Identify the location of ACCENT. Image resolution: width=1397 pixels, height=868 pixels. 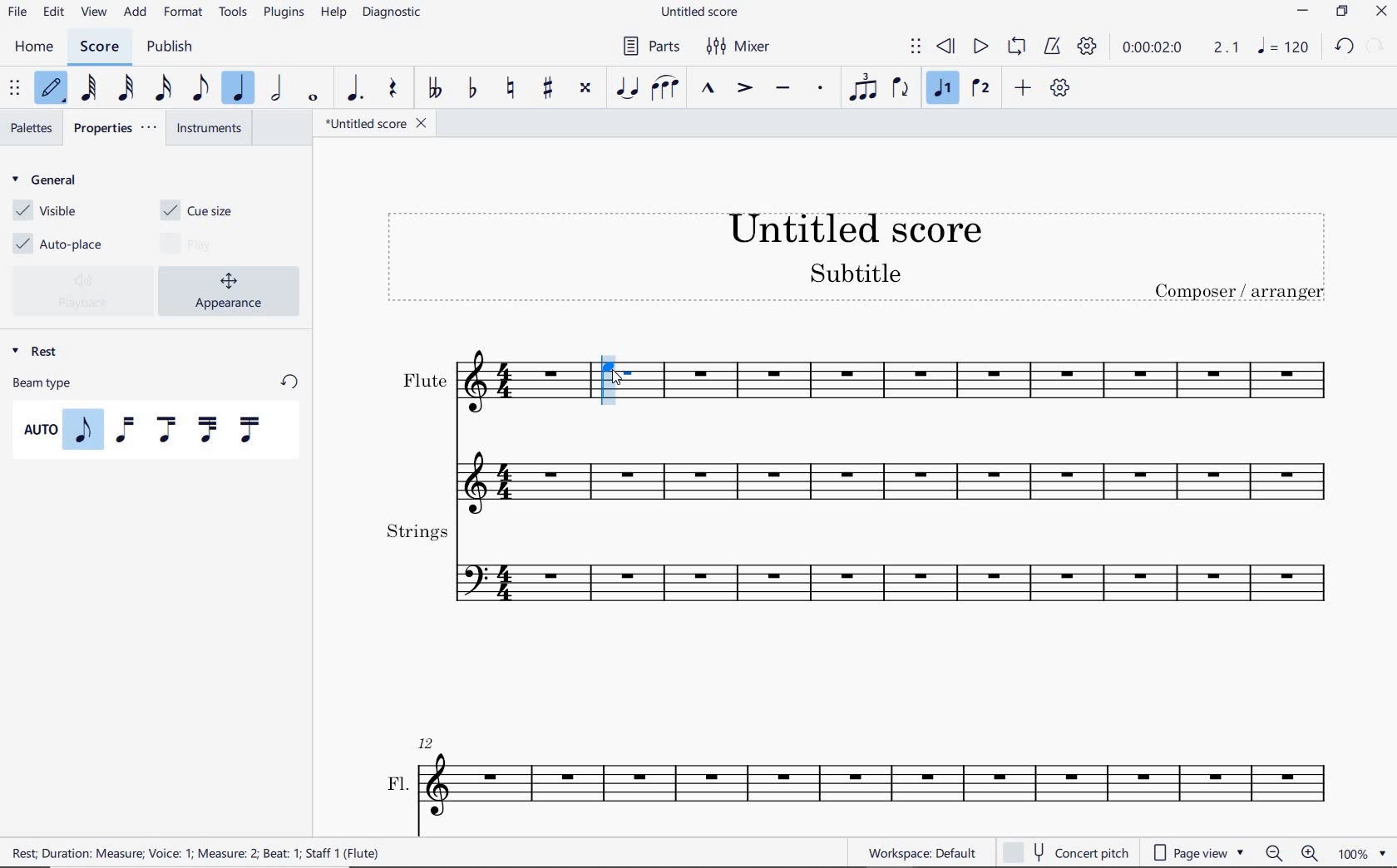
(745, 89).